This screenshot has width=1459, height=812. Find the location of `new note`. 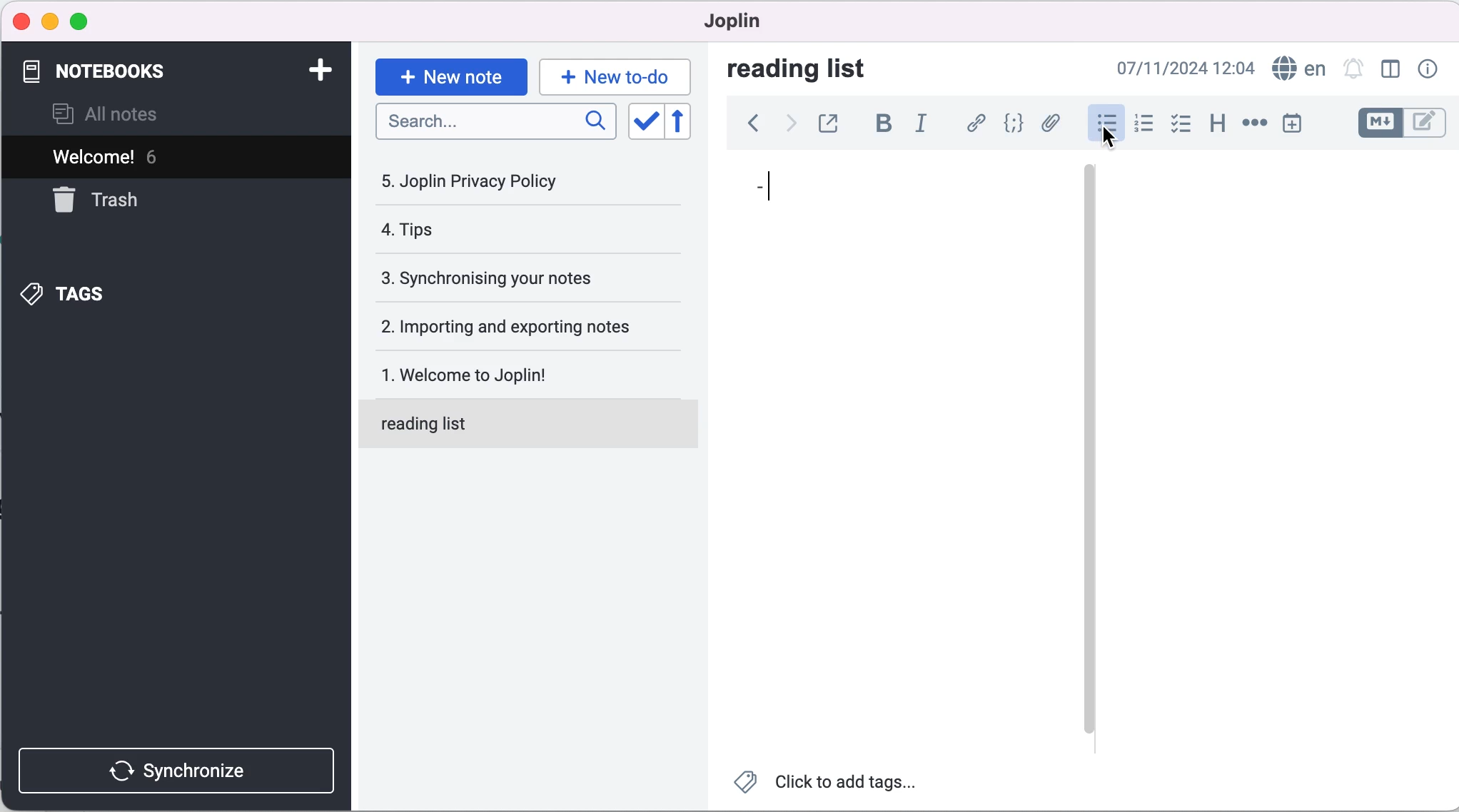

new note is located at coordinates (449, 76).